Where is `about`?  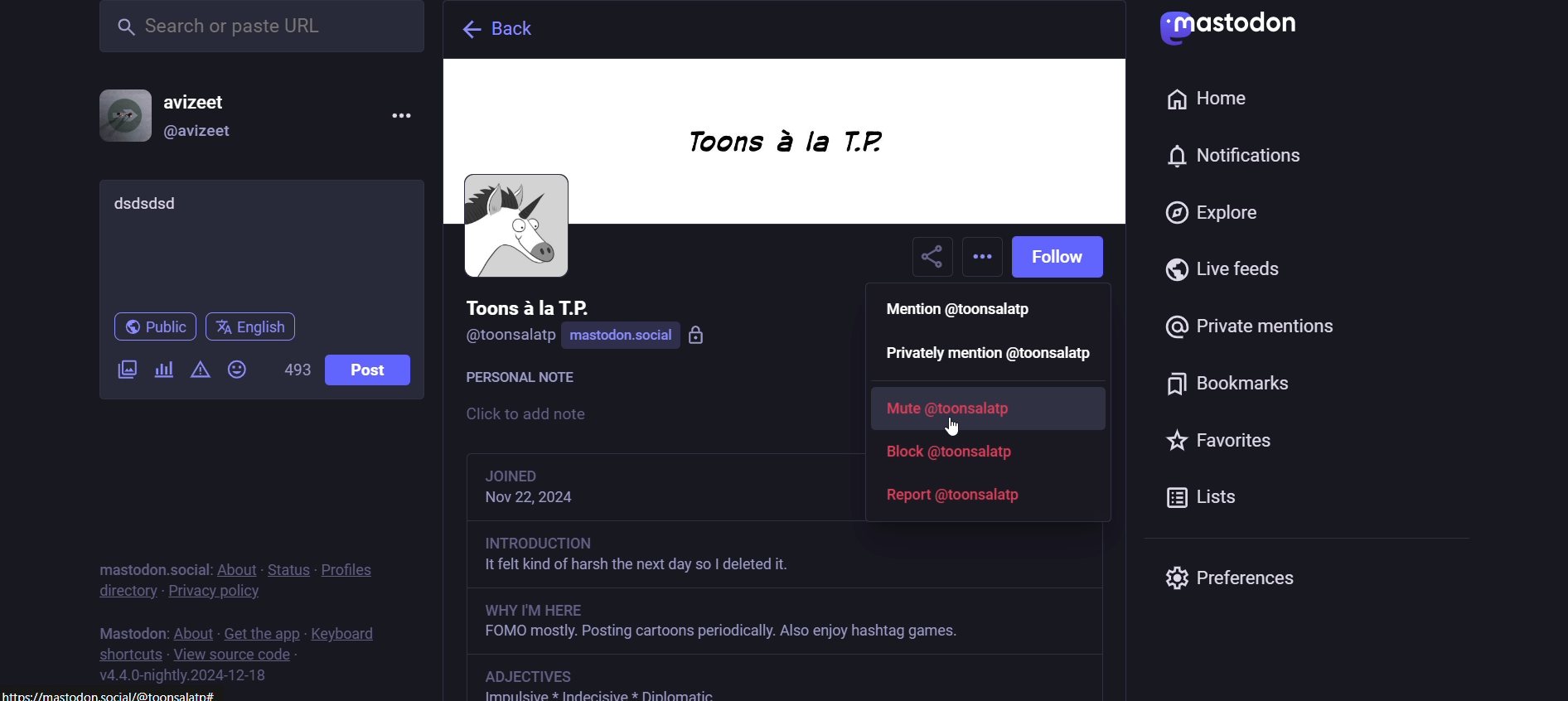
about is located at coordinates (191, 626).